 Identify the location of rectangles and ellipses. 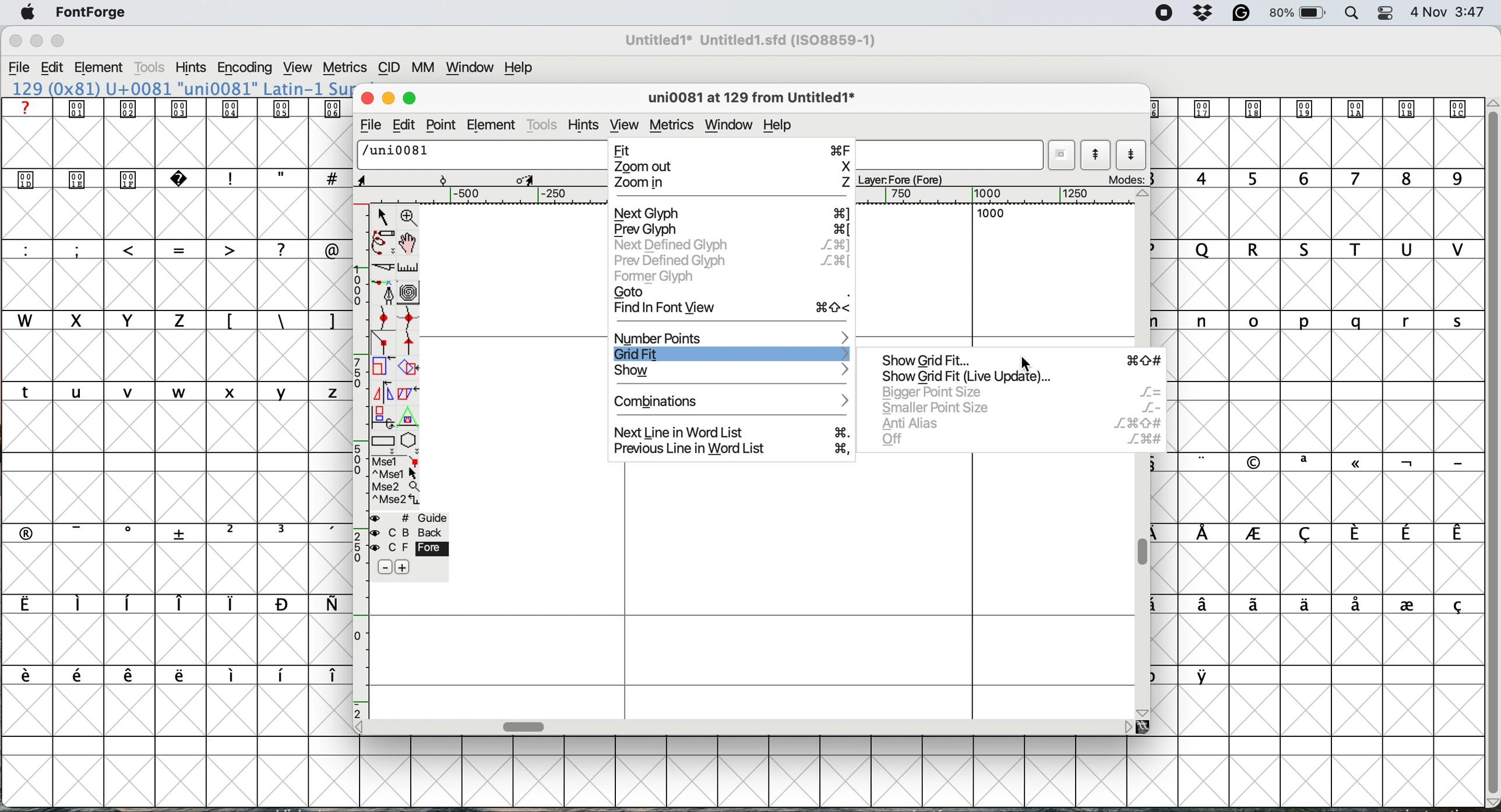
(383, 441).